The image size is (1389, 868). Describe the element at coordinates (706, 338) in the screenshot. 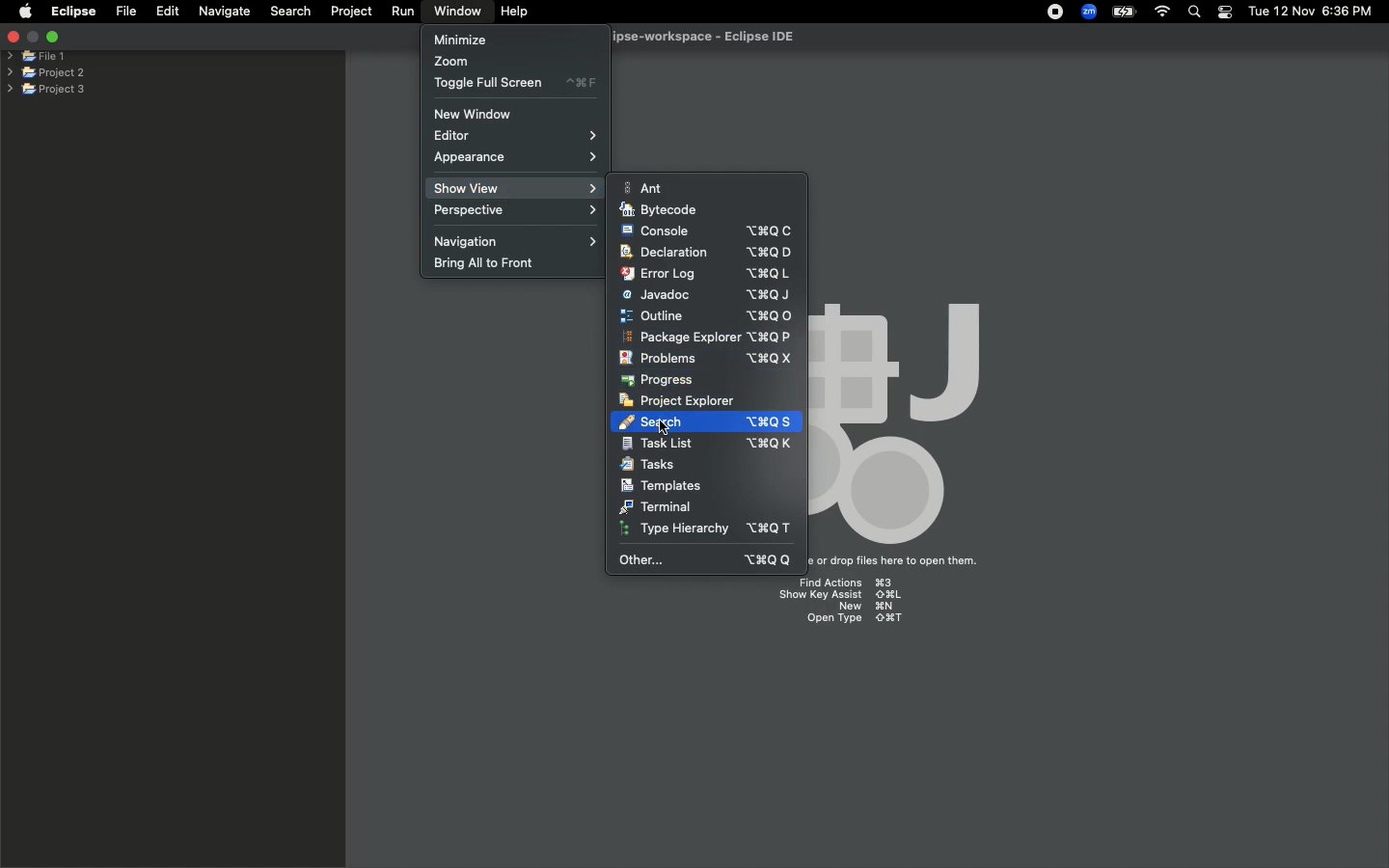

I see `Package explorer` at that location.